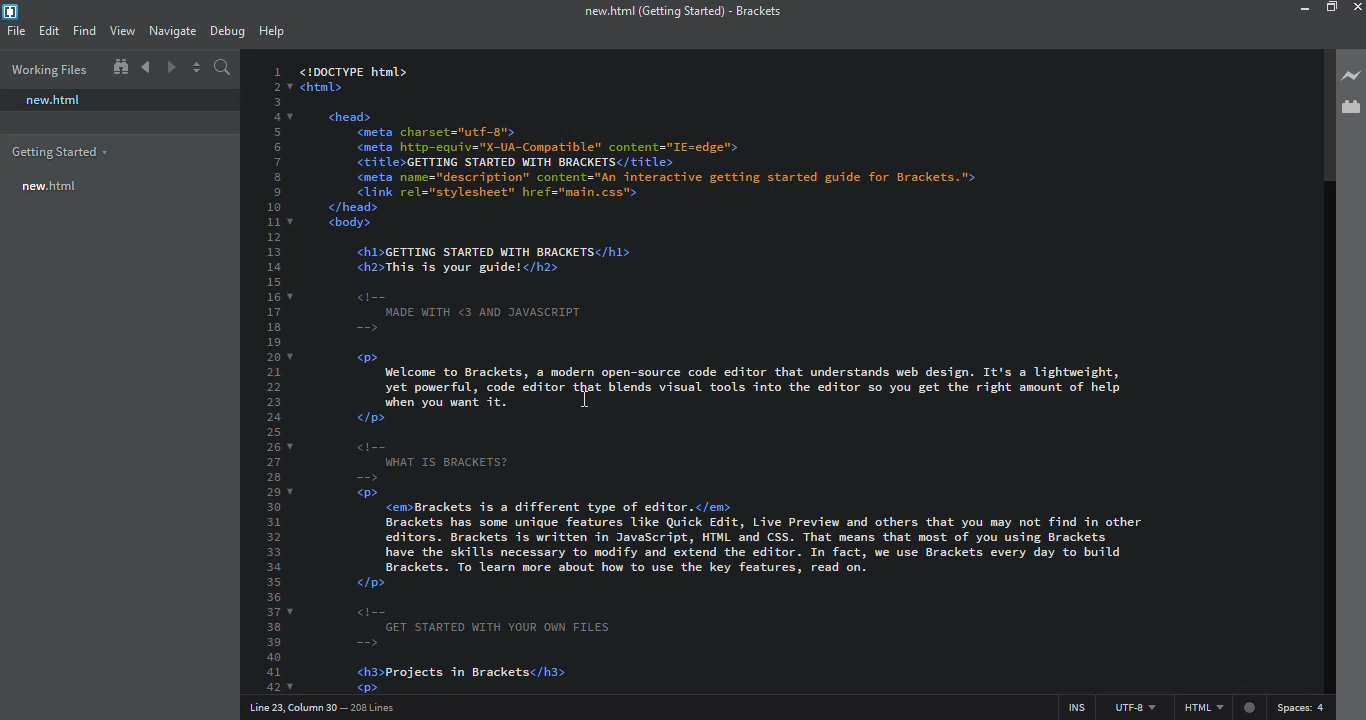  What do you see at coordinates (197, 67) in the screenshot?
I see `split editor` at bounding box center [197, 67].